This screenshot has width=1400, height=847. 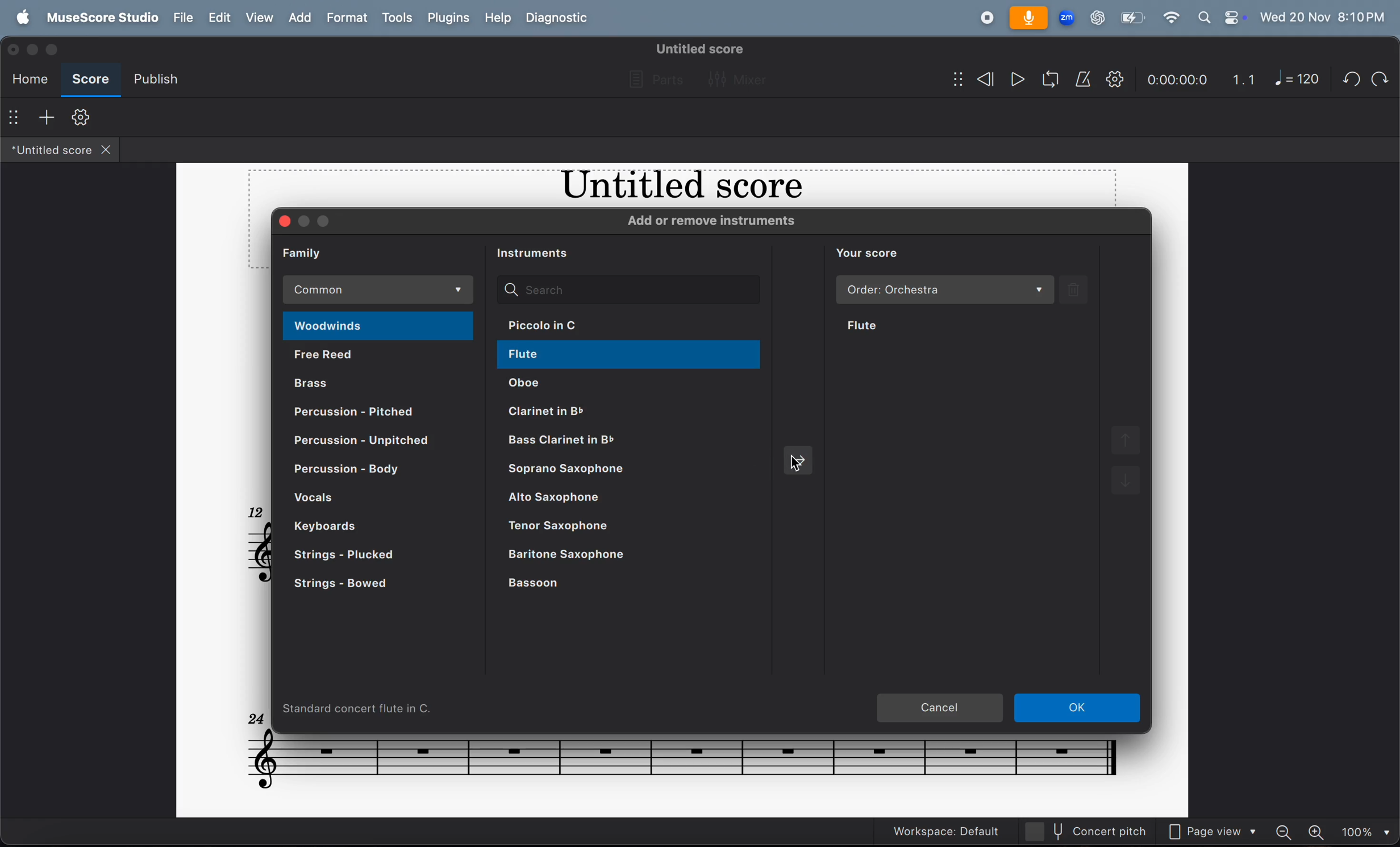 I want to click on strings bowed, so click(x=374, y=583).